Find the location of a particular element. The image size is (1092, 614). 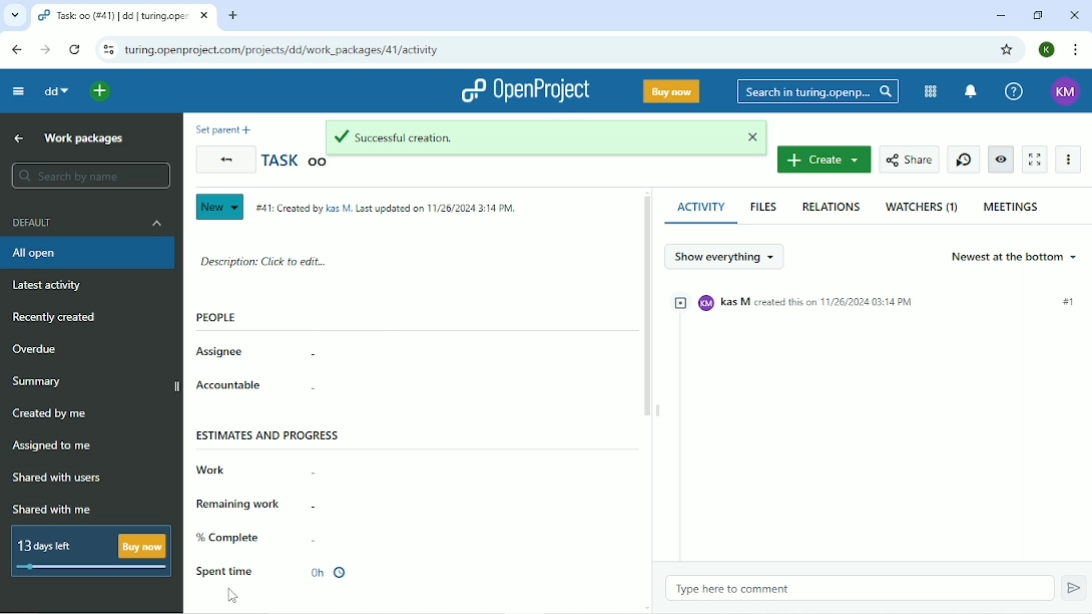

Reload this page is located at coordinates (76, 50).